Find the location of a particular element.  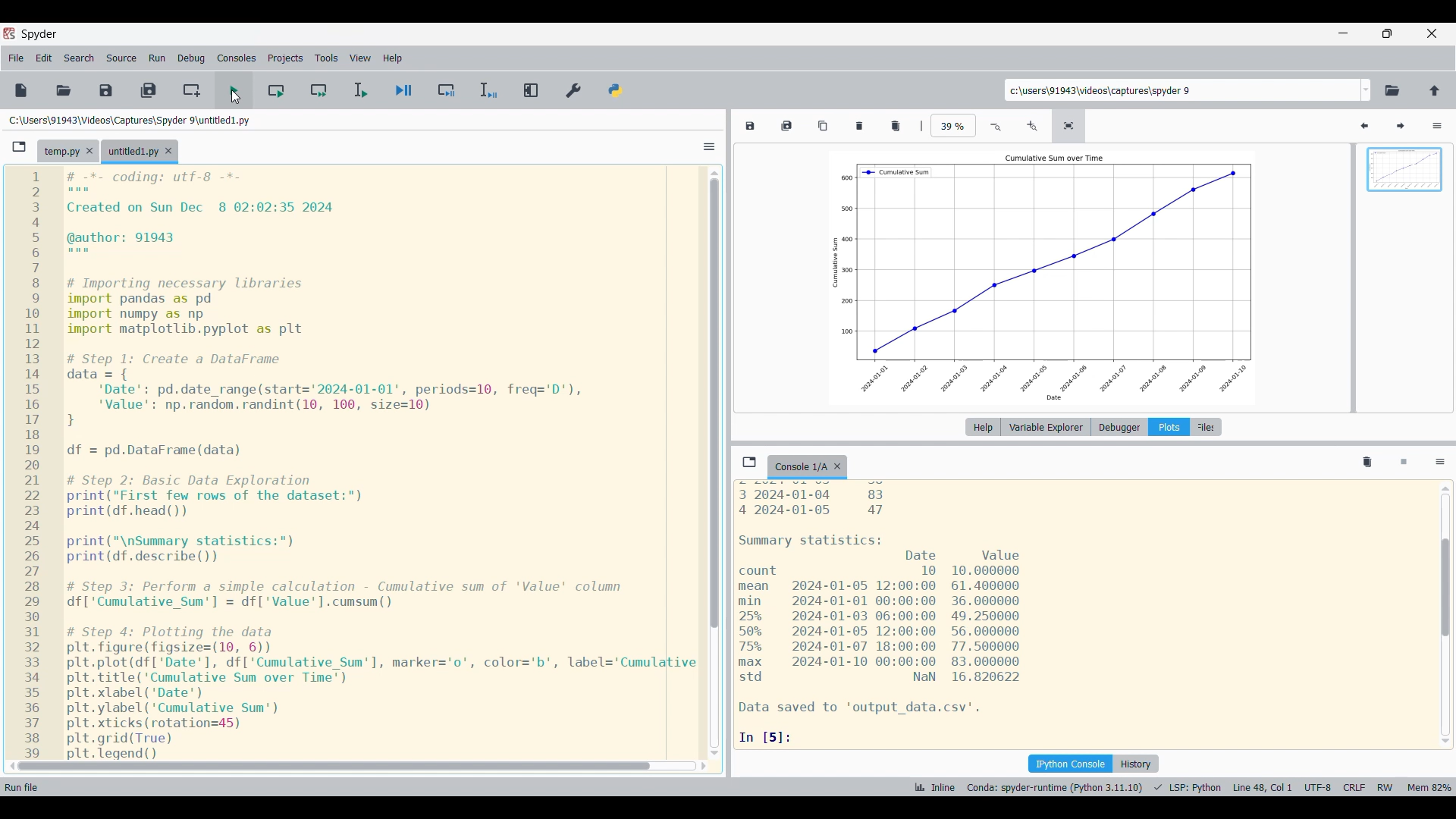

Files is located at coordinates (1209, 427).